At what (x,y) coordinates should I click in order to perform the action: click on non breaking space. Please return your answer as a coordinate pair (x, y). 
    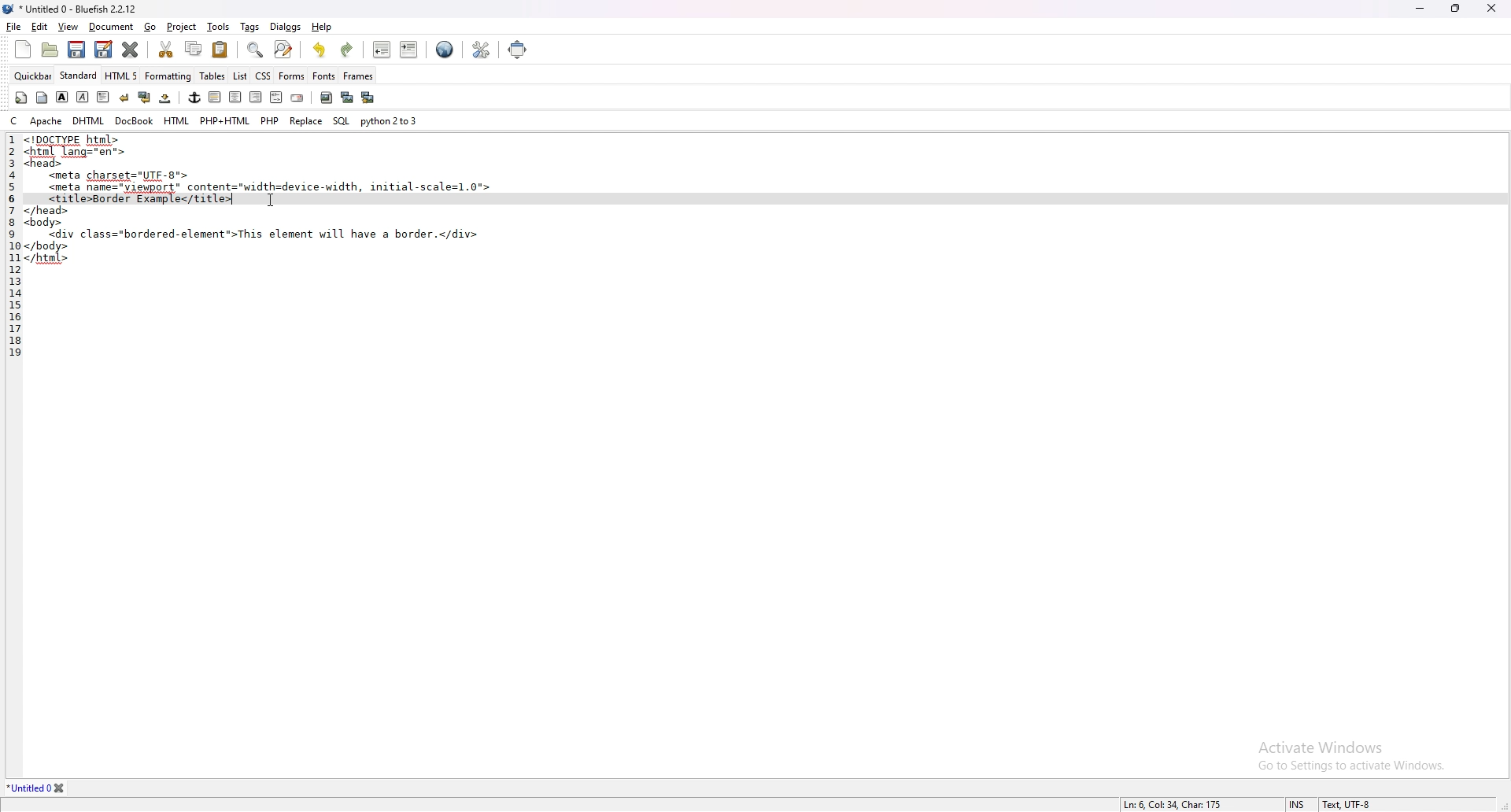
    Looking at the image, I should click on (166, 98).